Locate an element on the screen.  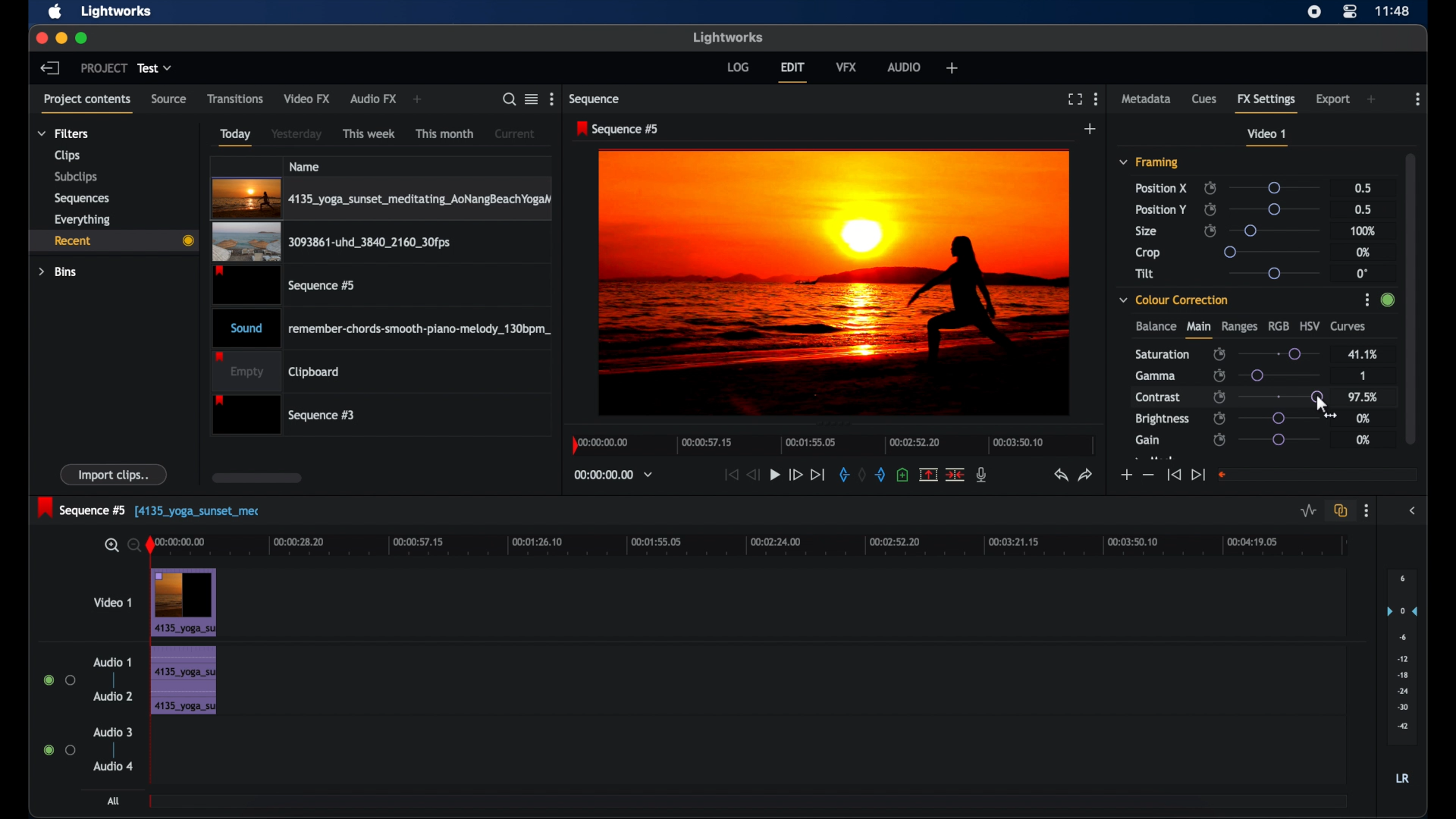
empty field is located at coordinates (1318, 474).